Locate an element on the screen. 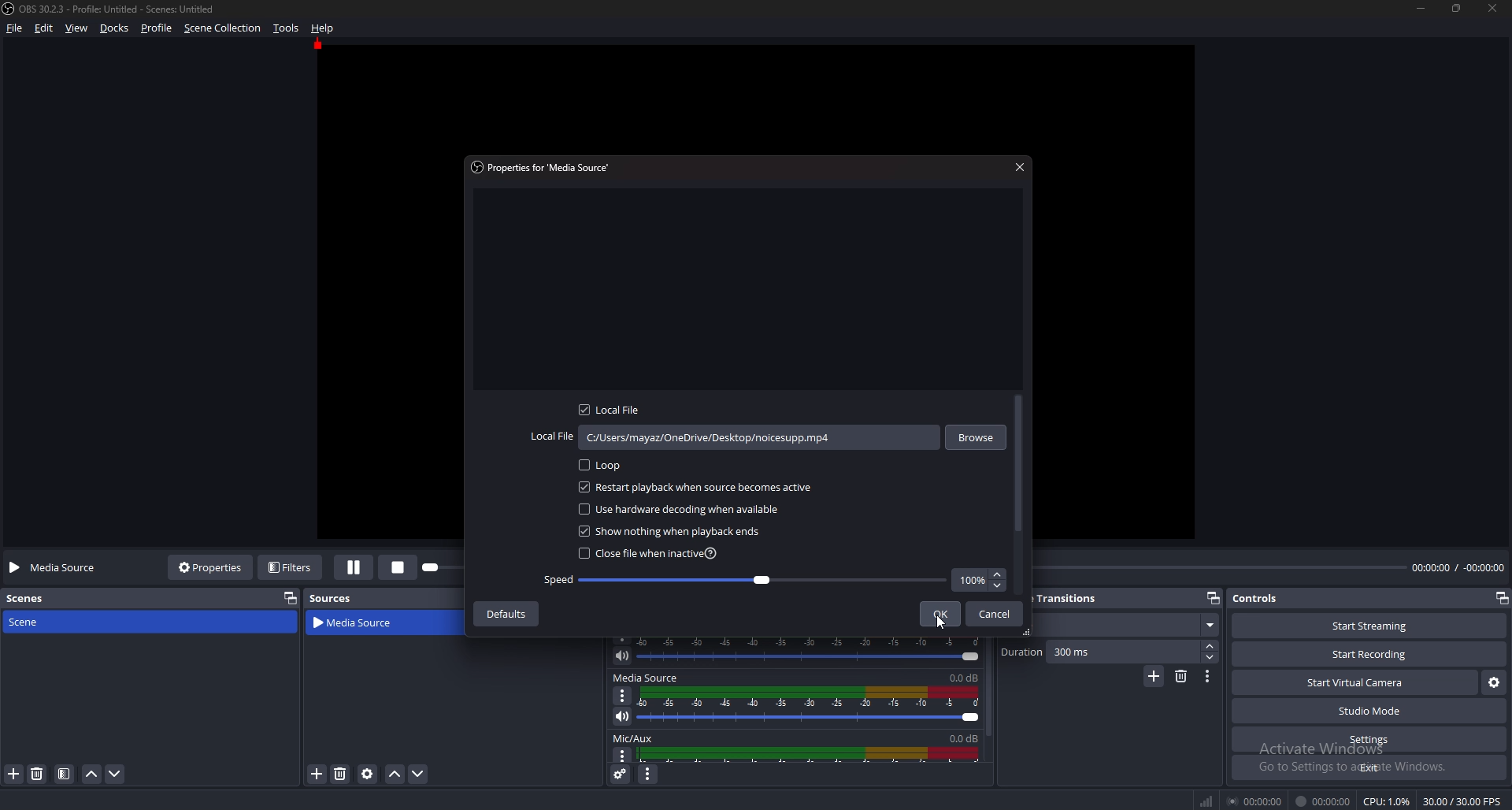 This screenshot has height=810, width=1512. Docks is located at coordinates (117, 28).